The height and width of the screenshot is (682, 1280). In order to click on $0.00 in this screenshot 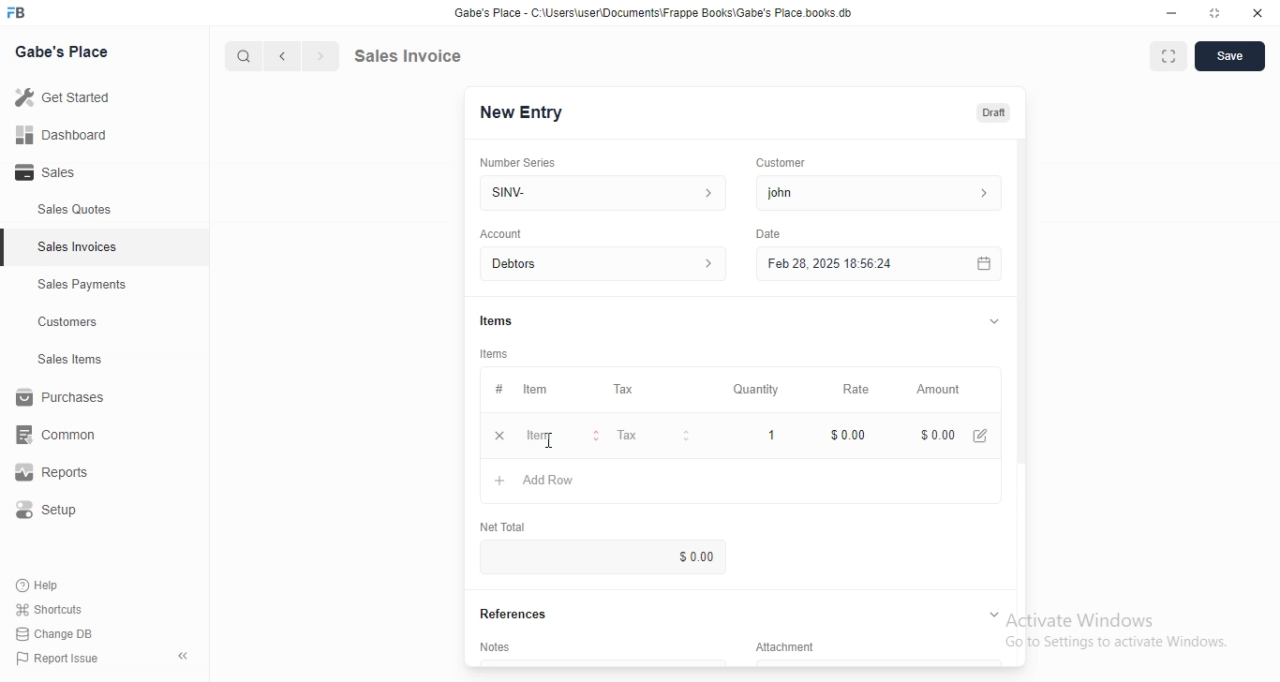, I will do `click(668, 557)`.